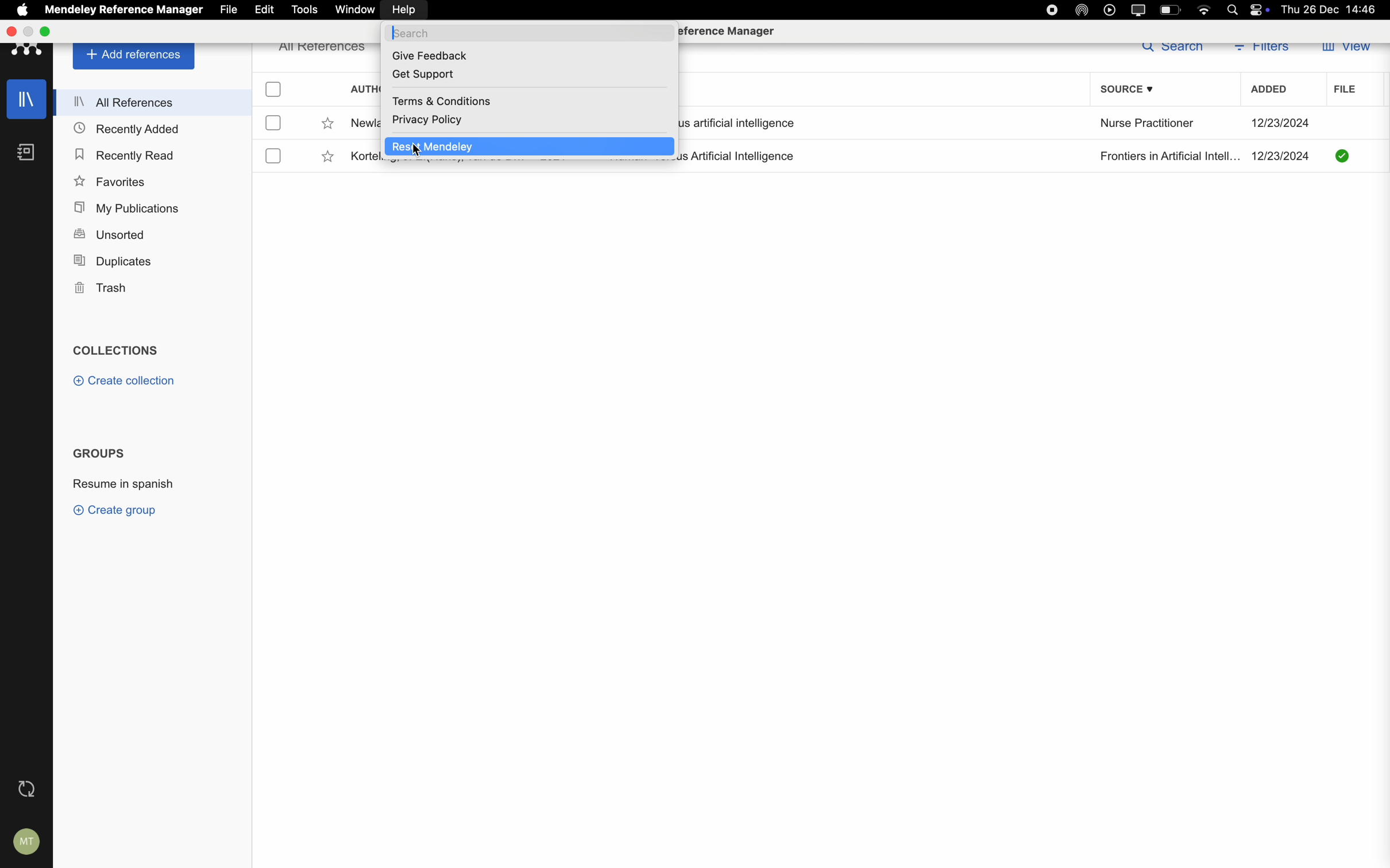  Describe the element at coordinates (117, 350) in the screenshot. I see `collections` at that location.